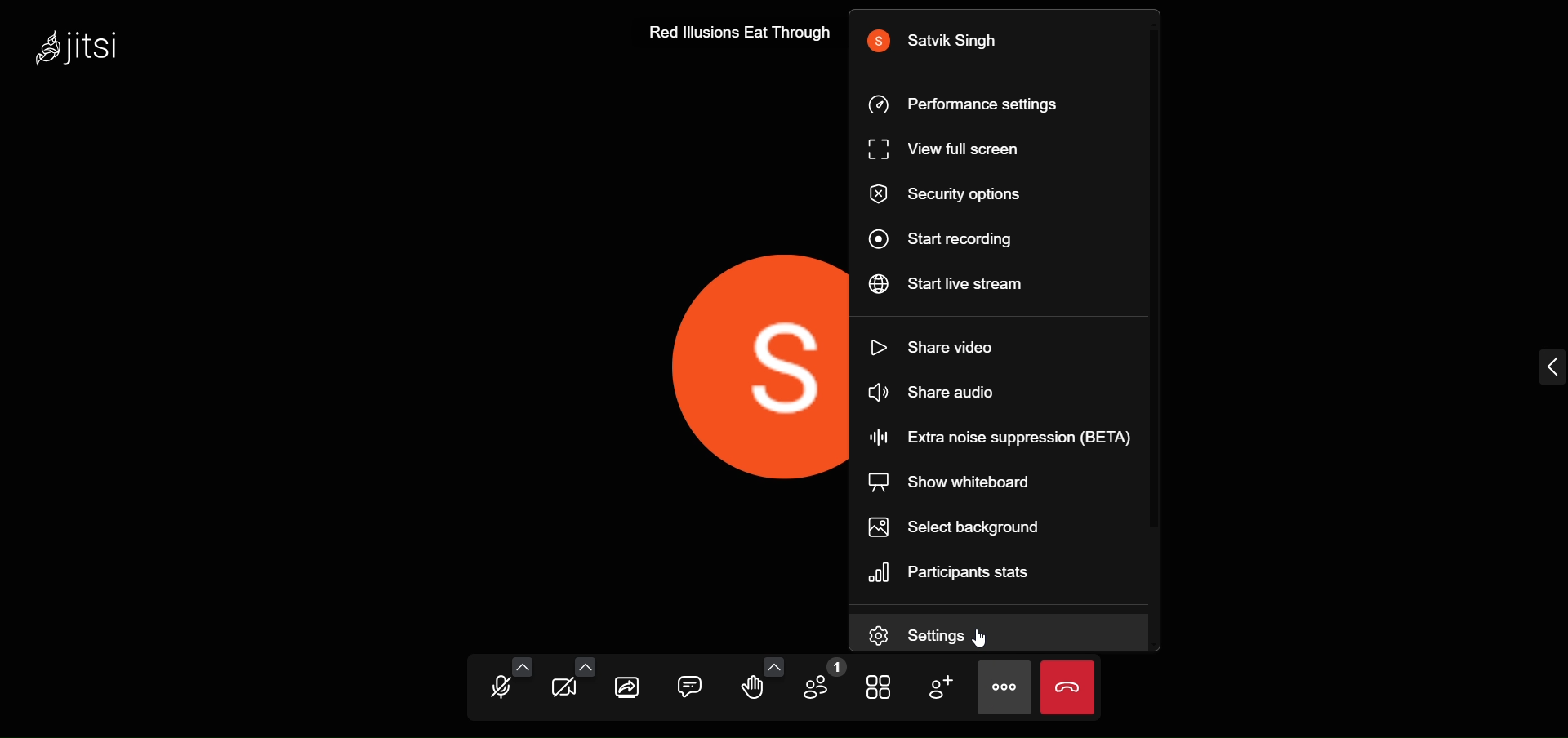  Describe the element at coordinates (961, 528) in the screenshot. I see `select background` at that location.